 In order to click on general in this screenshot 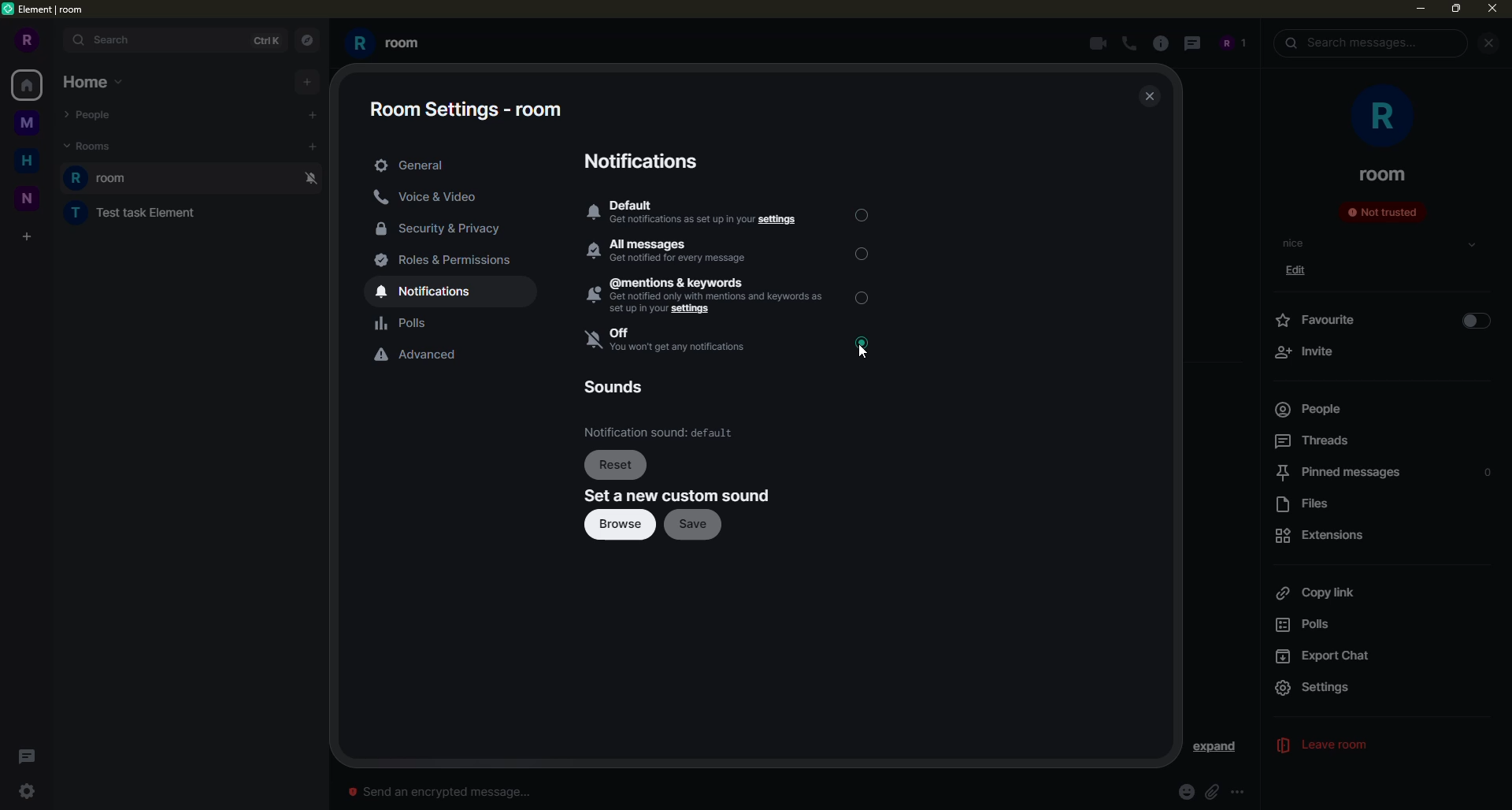, I will do `click(416, 163)`.